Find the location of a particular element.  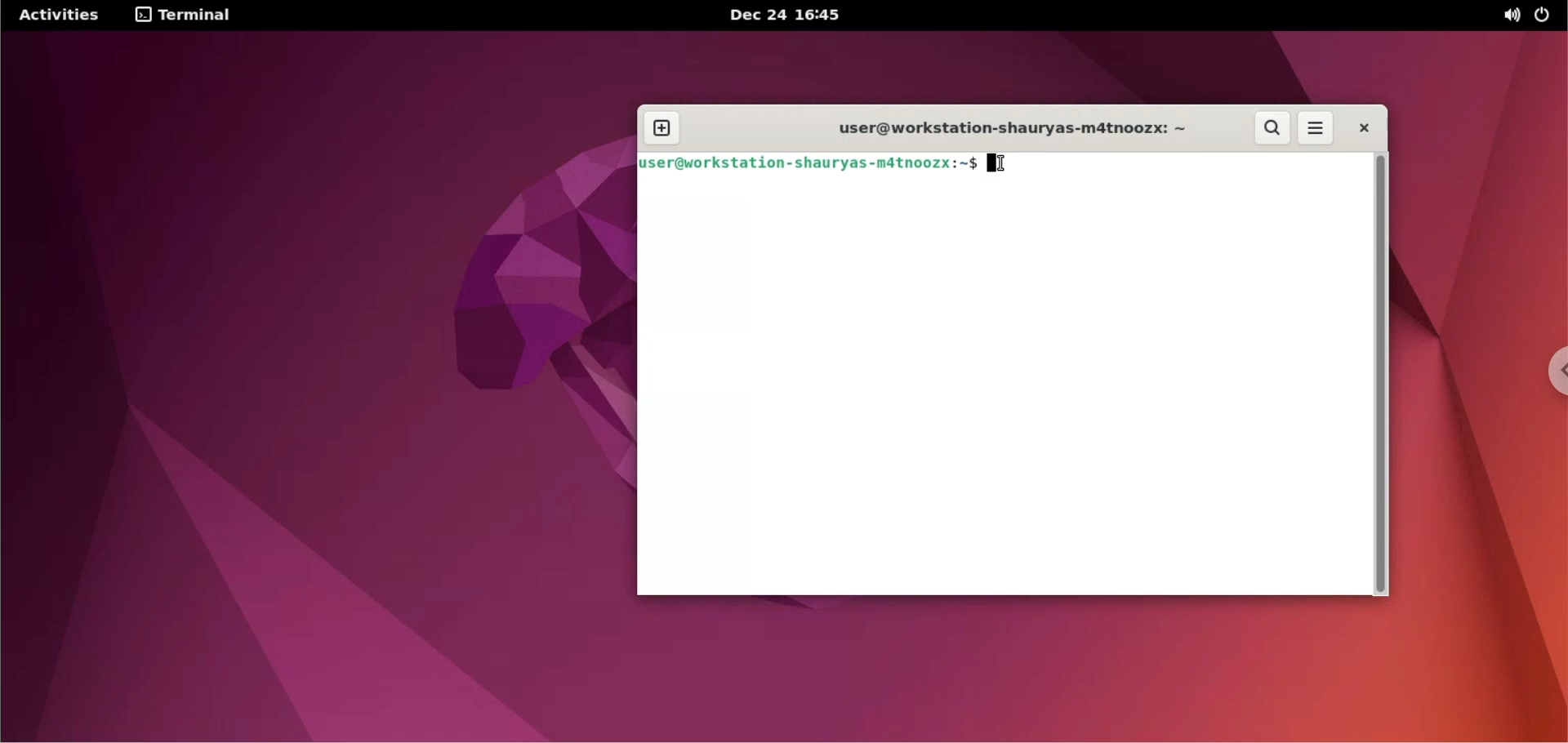

search  is located at coordinates (1275, 128).